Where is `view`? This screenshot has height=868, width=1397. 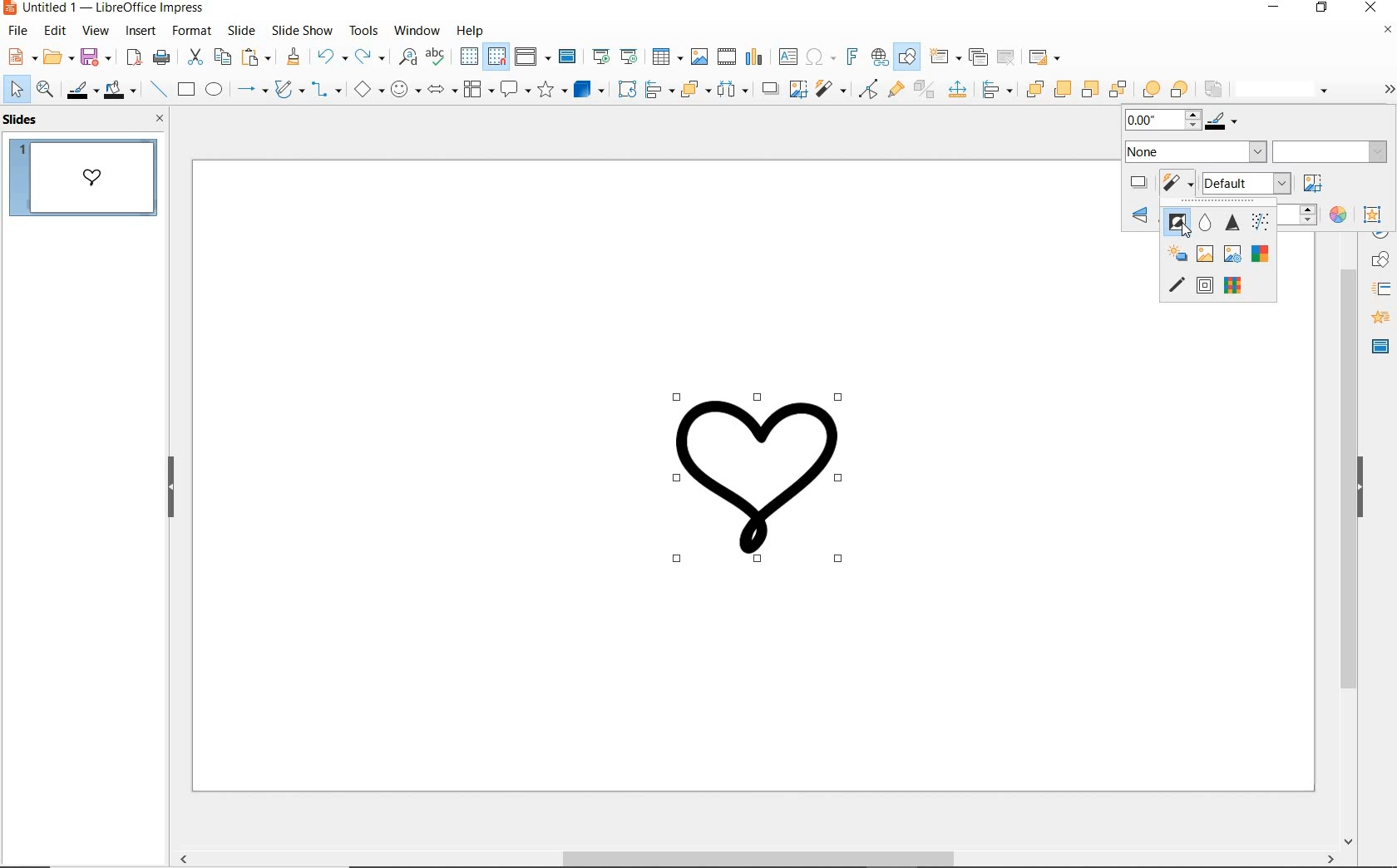
view is located at coordinates (96, 32).